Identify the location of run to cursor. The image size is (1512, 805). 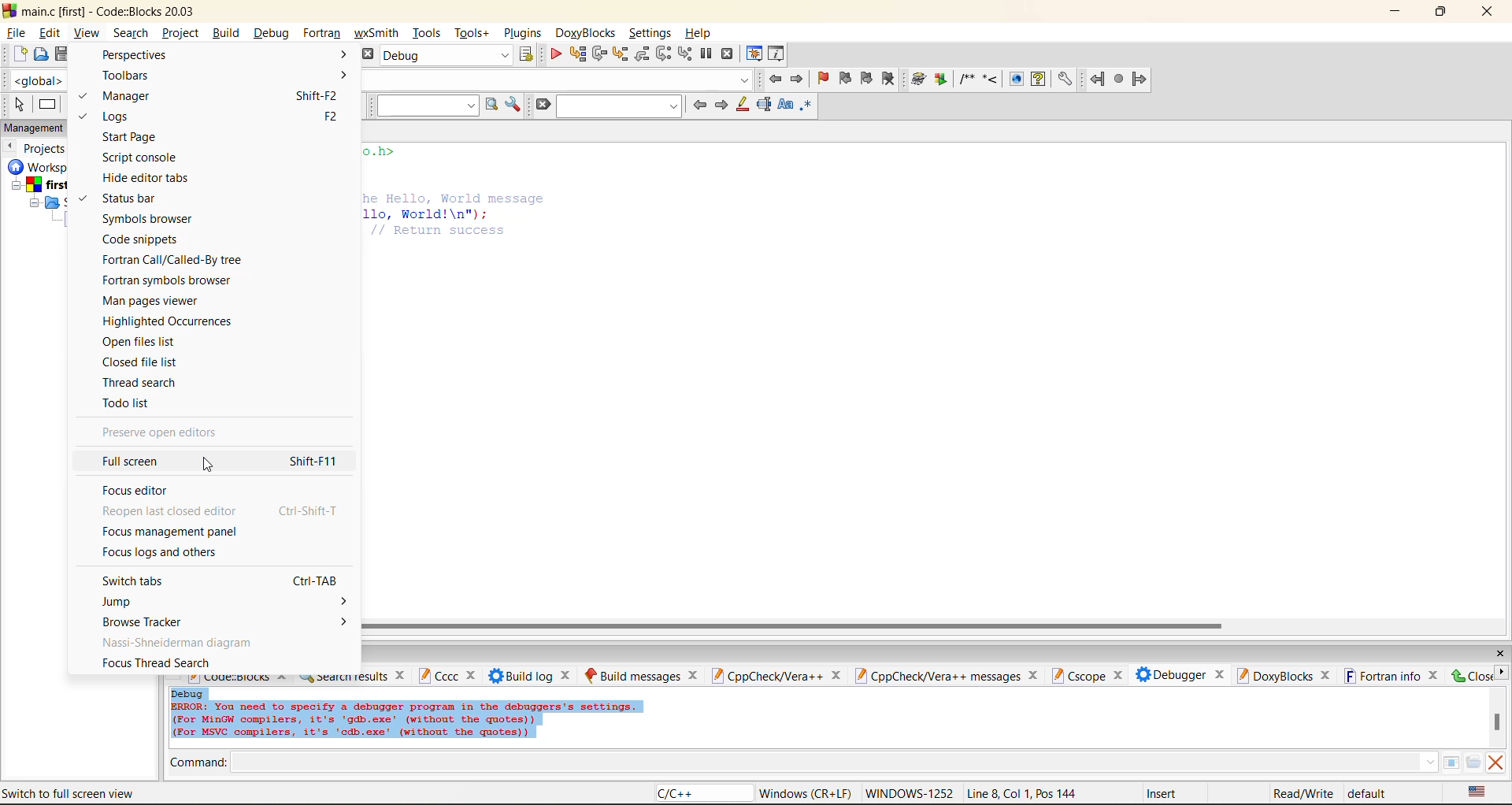
(579, 54).